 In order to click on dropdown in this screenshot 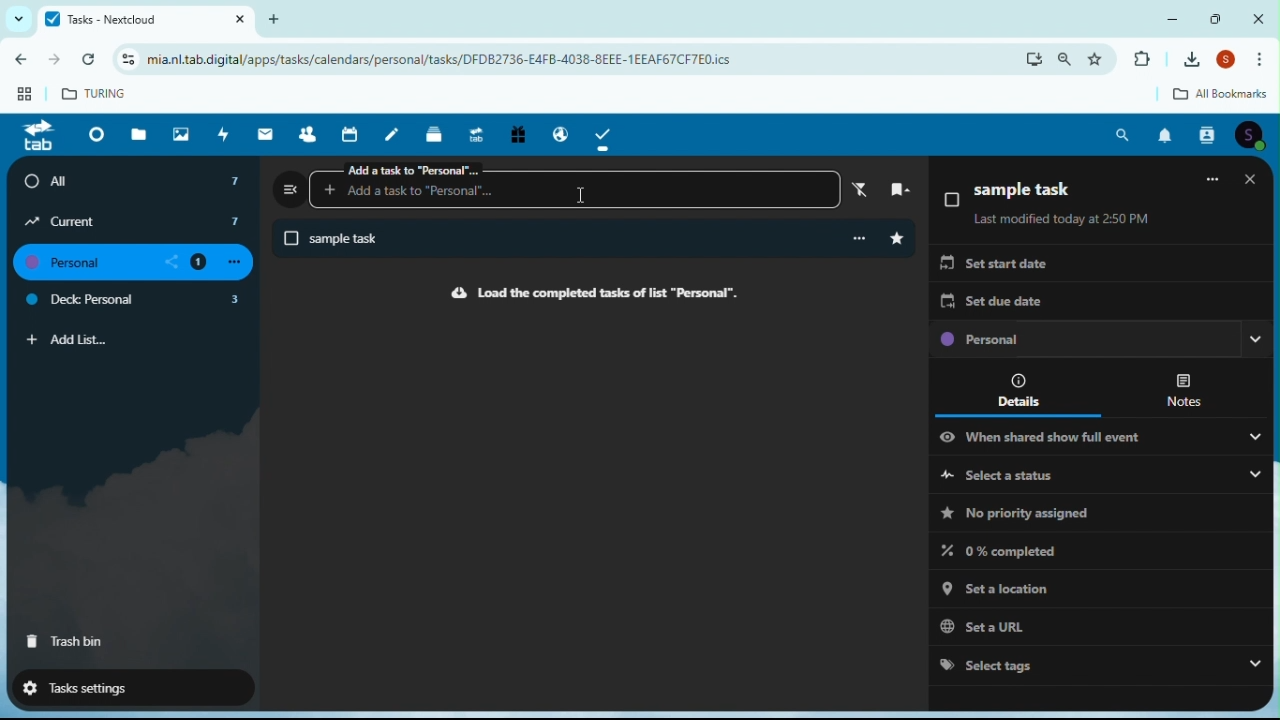, I will do `click(15, 19)`.